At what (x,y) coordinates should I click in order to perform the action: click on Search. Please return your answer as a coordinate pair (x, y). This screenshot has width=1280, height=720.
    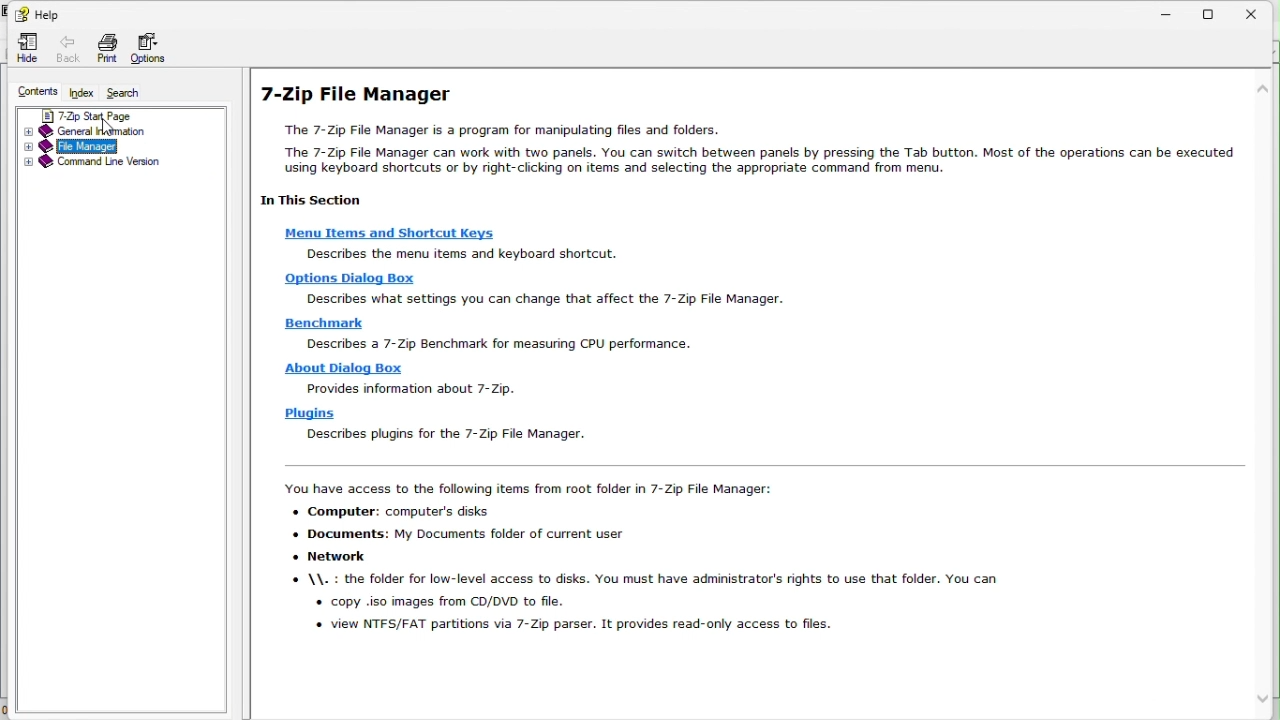
    Looking at the image, I should click on (135, 91).